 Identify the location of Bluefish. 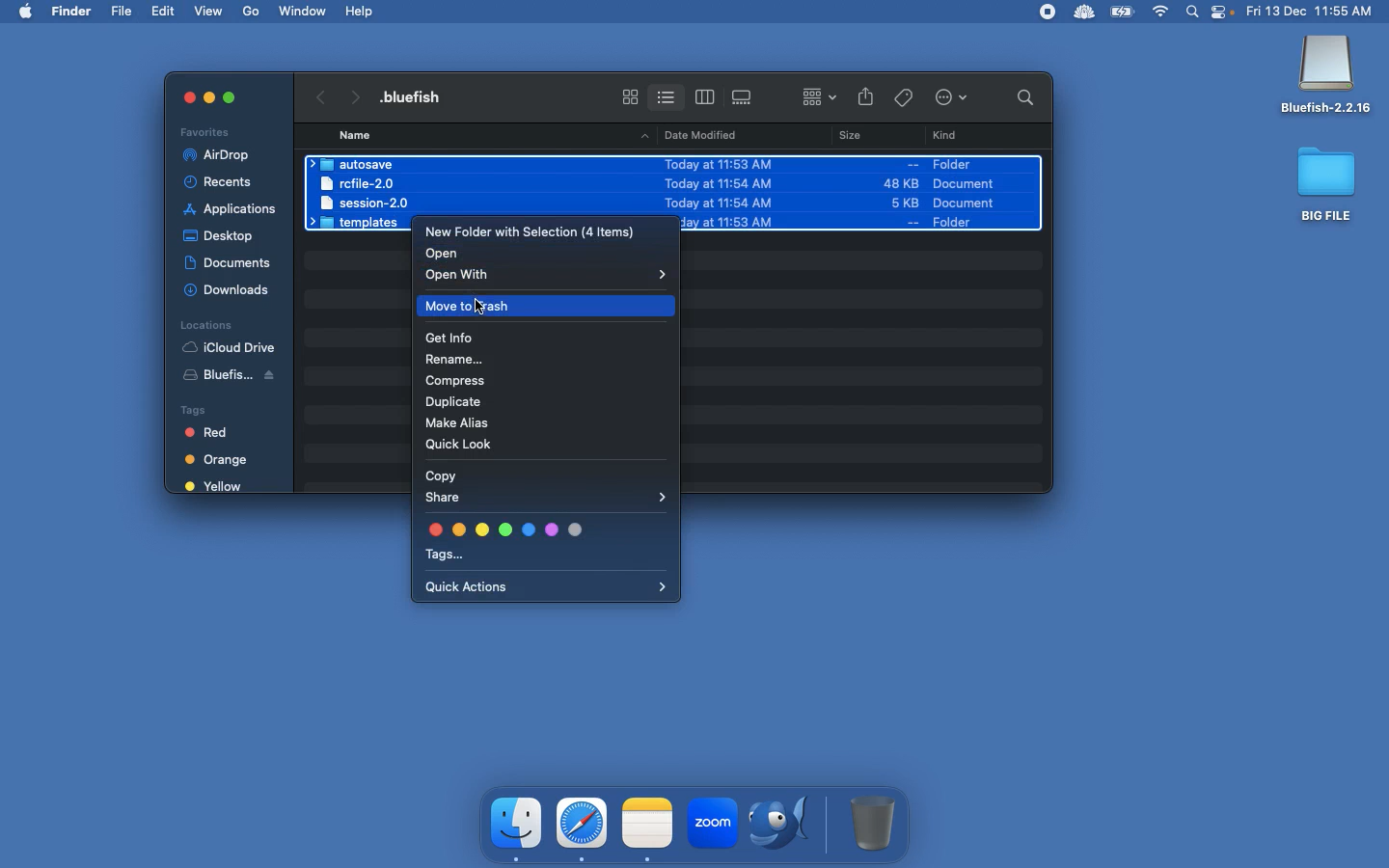
(785, 826).